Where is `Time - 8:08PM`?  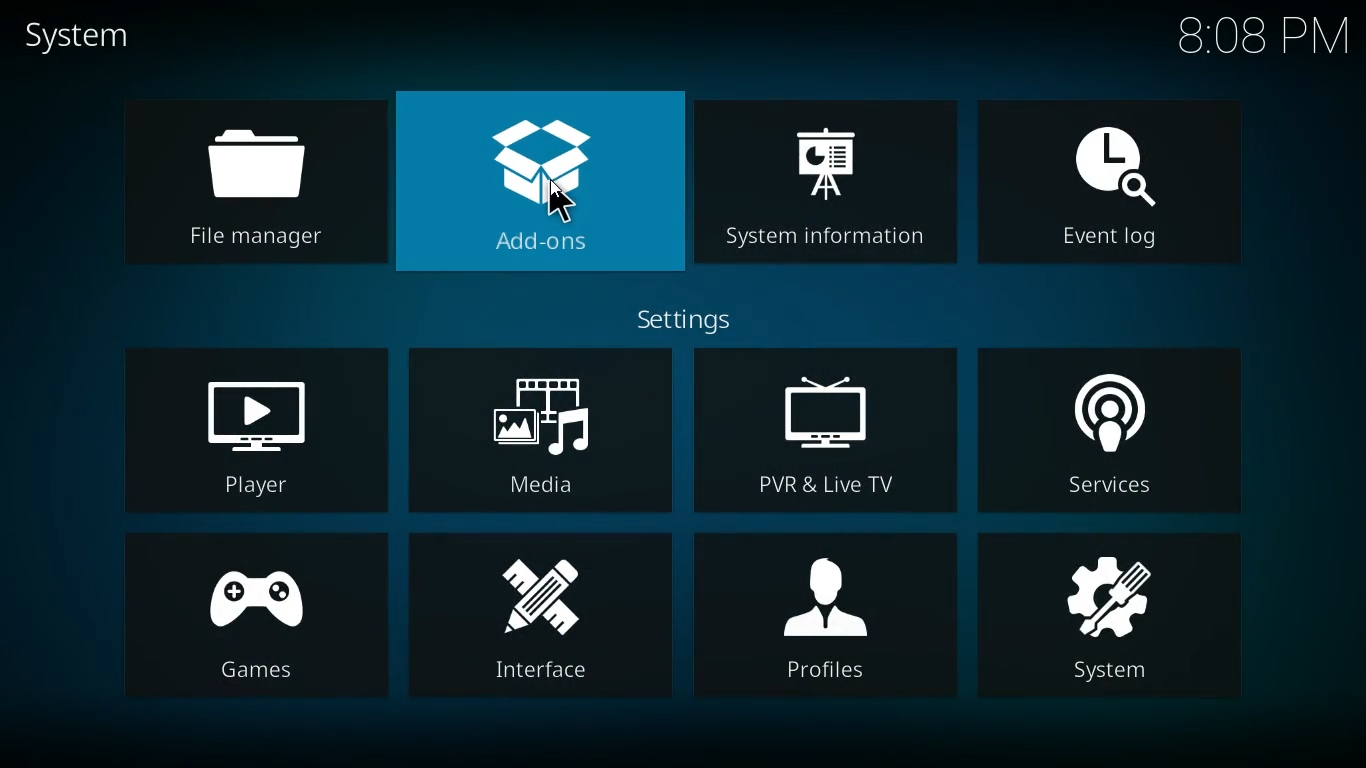 Time - 8:08PM is located at coordinates (1262, 35).